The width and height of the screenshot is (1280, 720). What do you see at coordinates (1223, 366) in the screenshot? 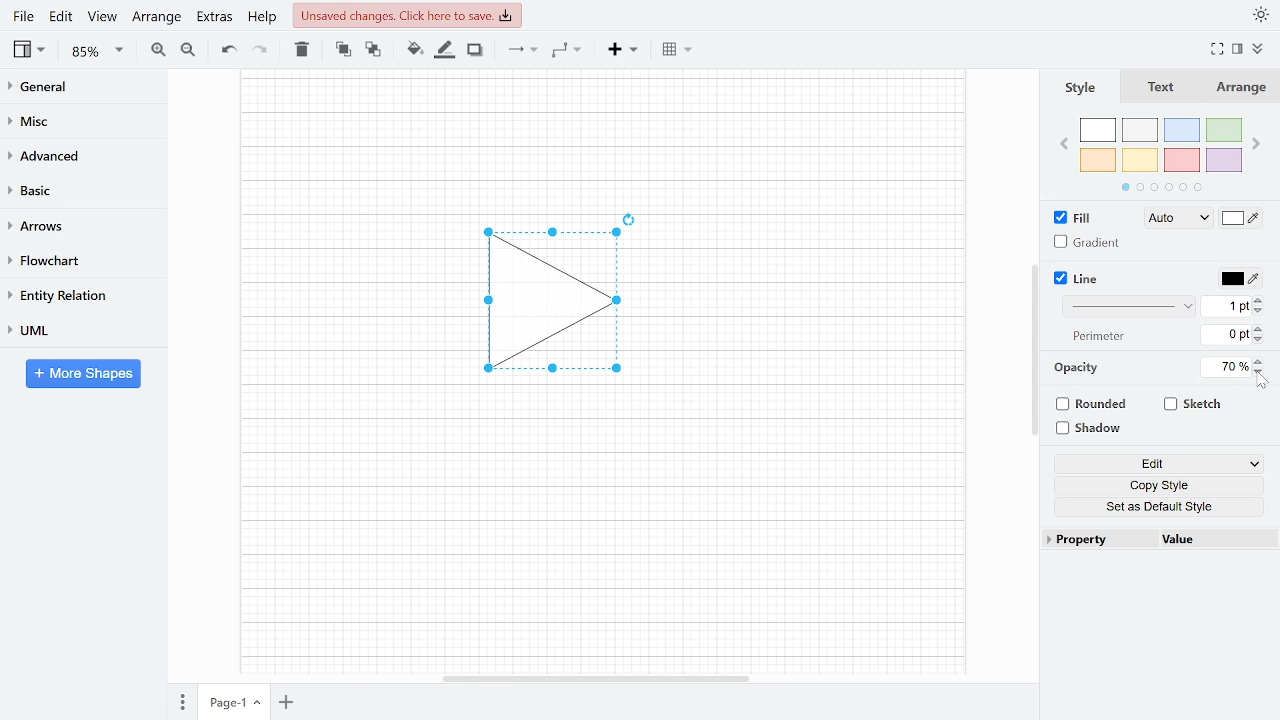
I see `Current Opacity` at bounding box center [1223, 366].